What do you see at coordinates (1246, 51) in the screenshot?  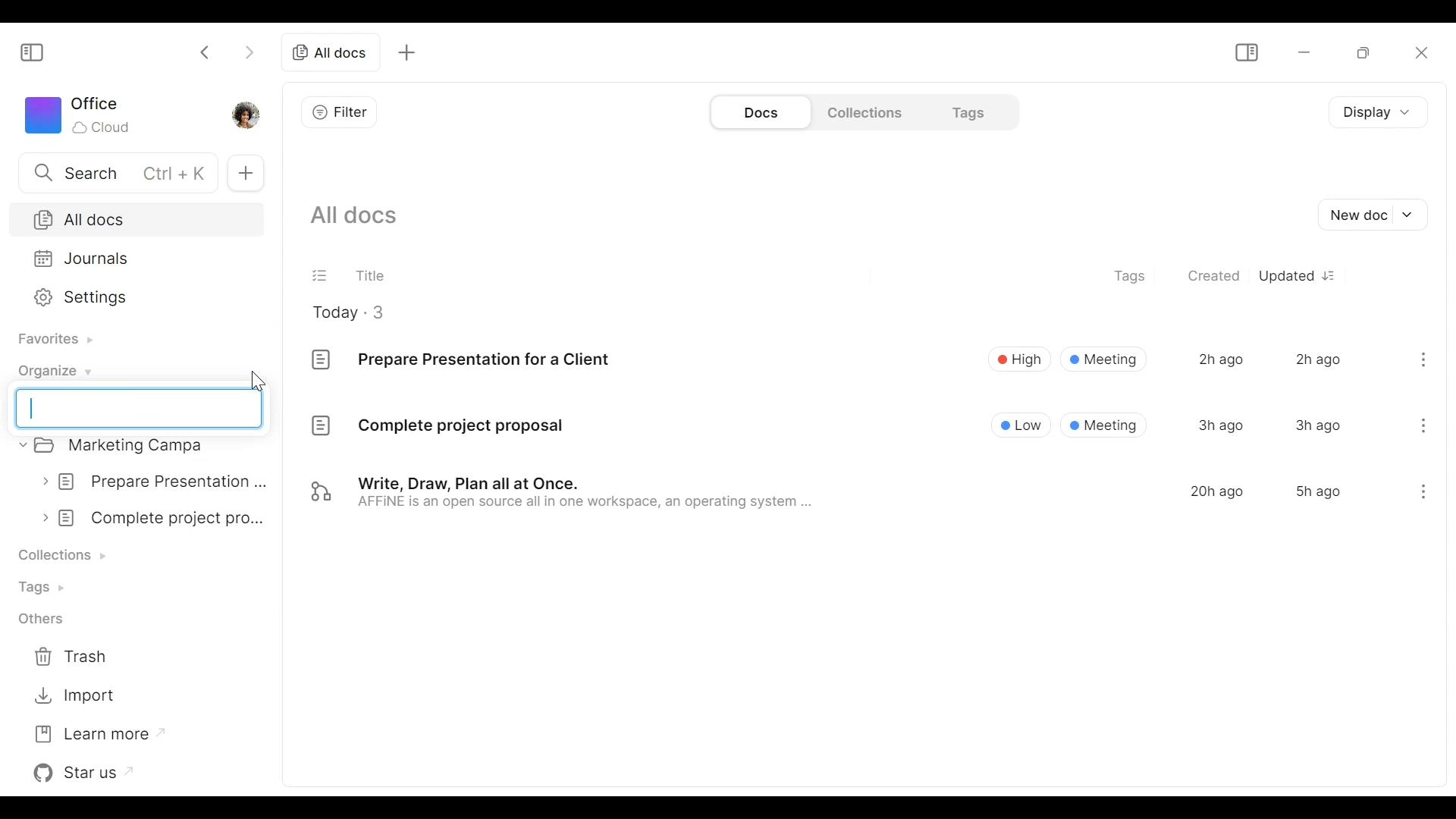 I see `Show/Hide` at bounding box center [1246, 51].